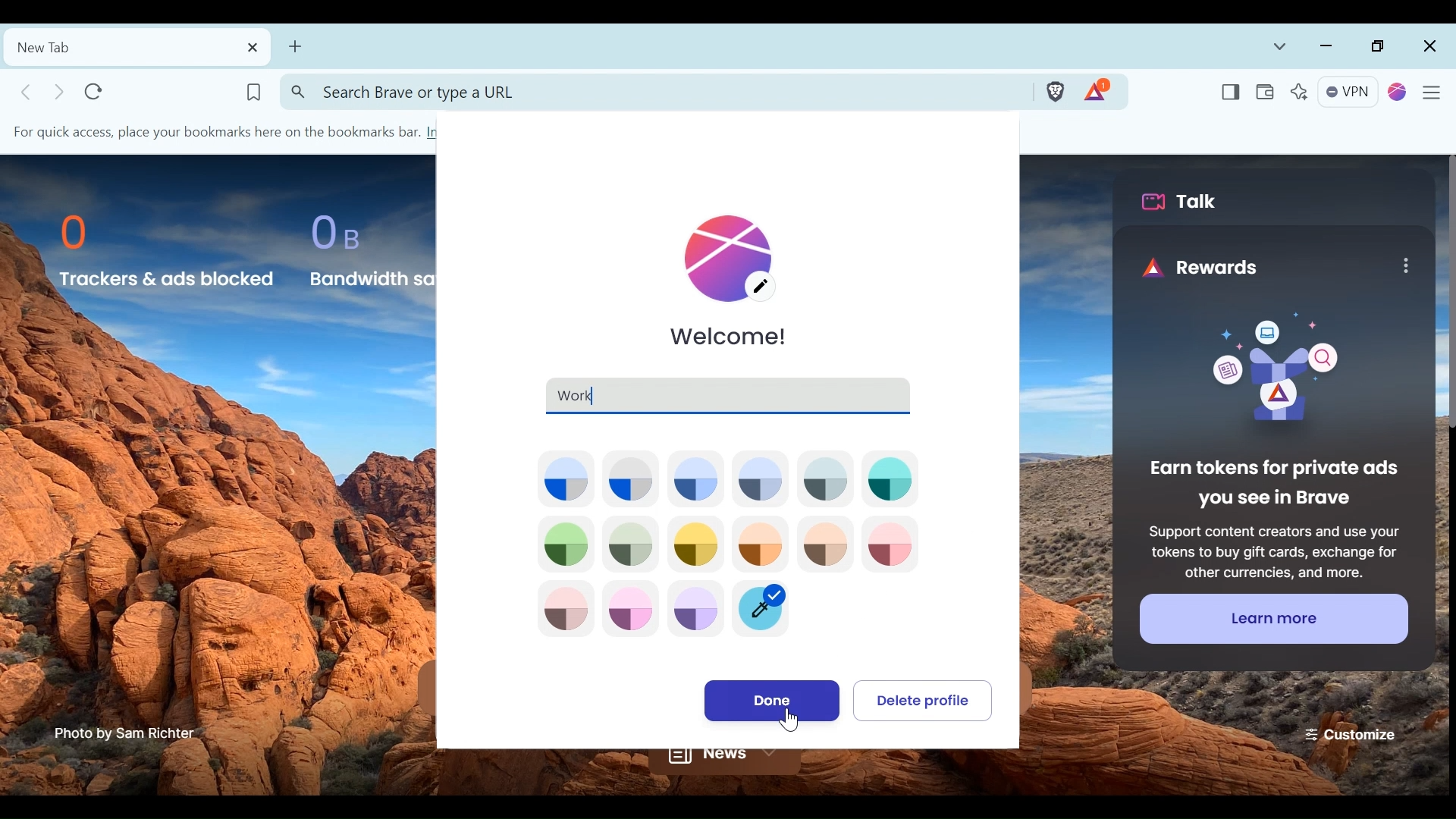 The image size is (1456, 819). What do you see at coordinates (628, 610) in the screenshot?
I see `Theme` at bounding box center [628, 610].